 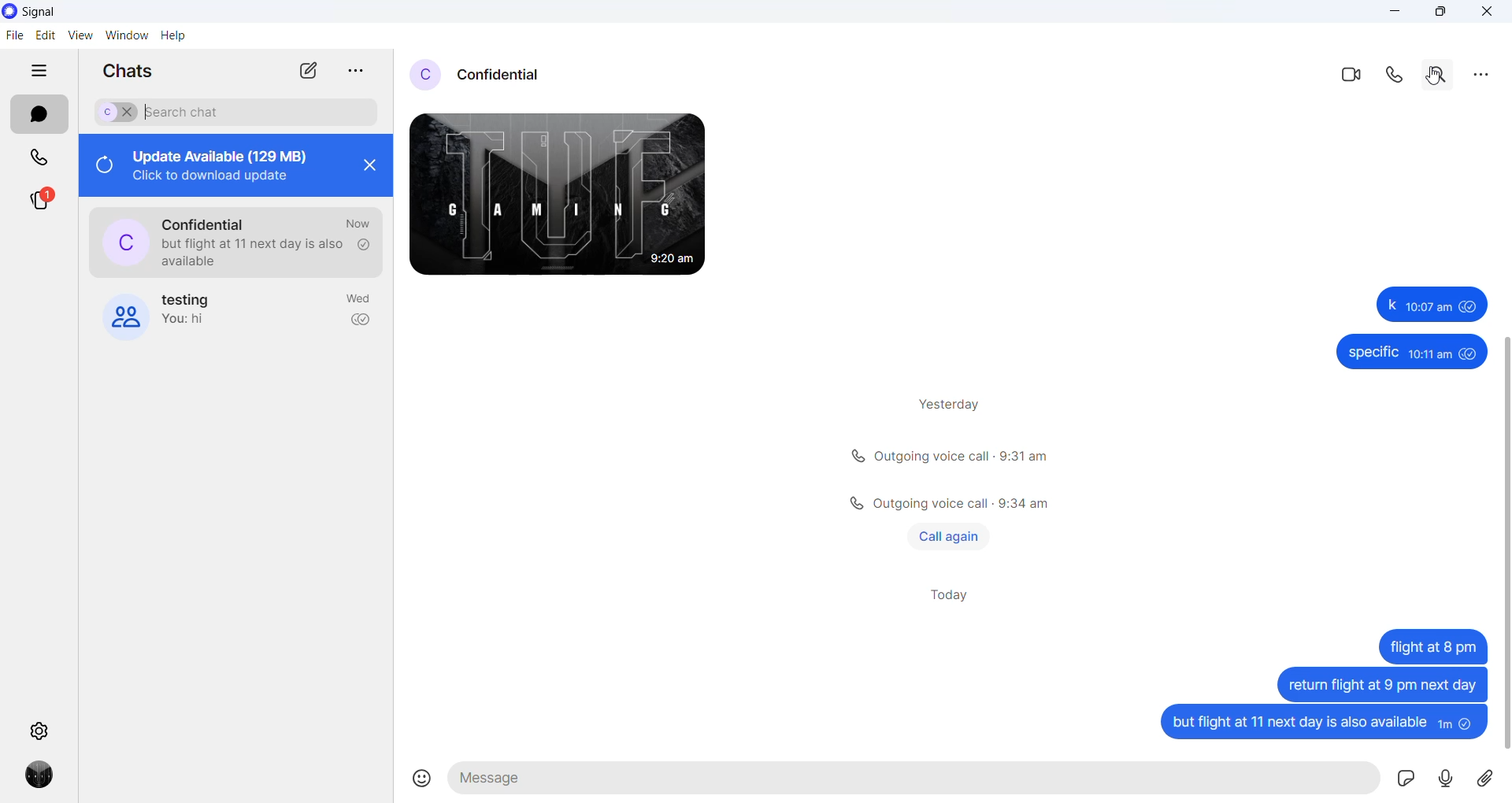 What do you see at coordinates (1440, 13) in the screenshot?
I see `maximize` at bounding box center [1440, 13].